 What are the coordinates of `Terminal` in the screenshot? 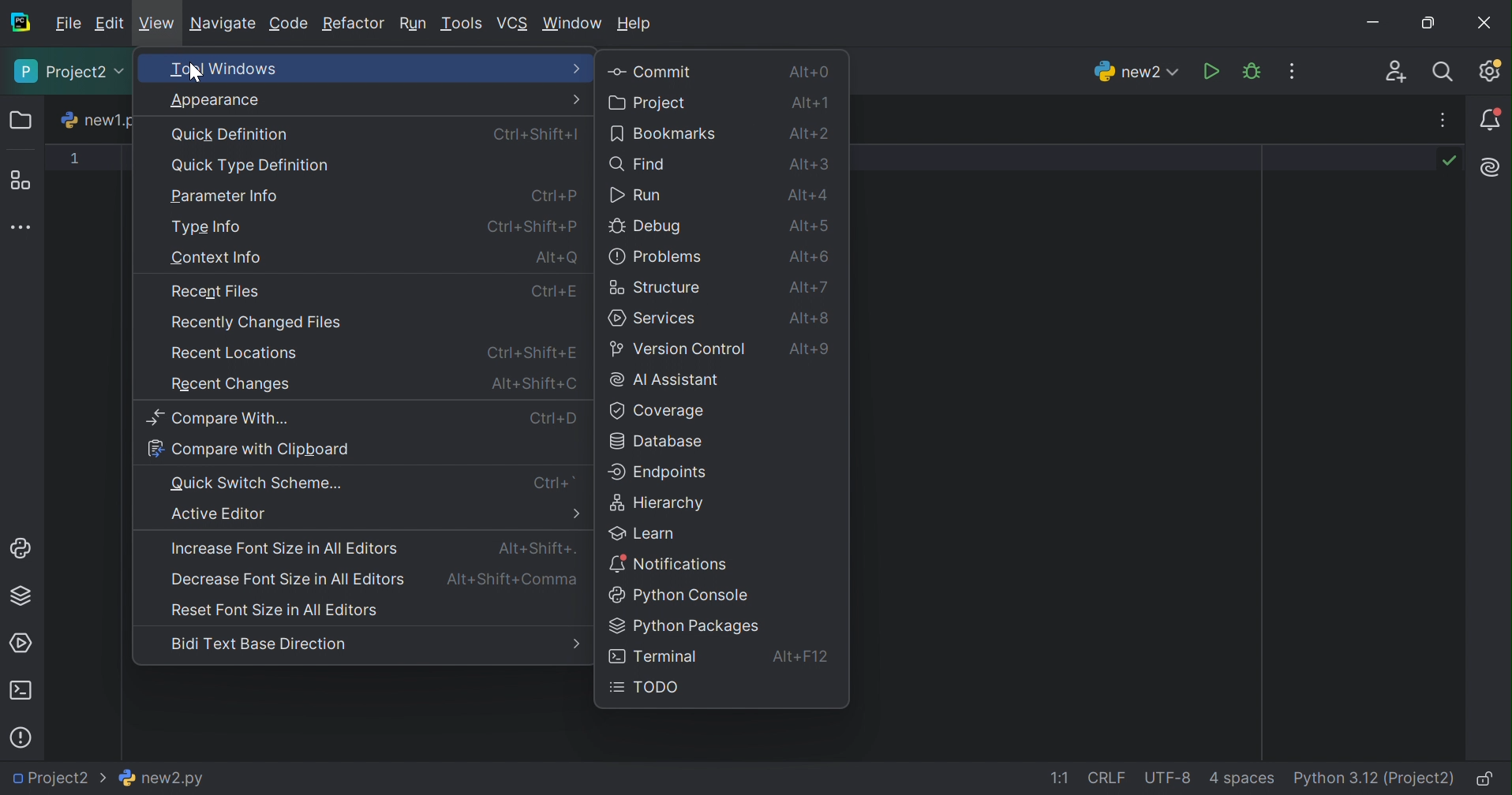 It's located at (21, 692).